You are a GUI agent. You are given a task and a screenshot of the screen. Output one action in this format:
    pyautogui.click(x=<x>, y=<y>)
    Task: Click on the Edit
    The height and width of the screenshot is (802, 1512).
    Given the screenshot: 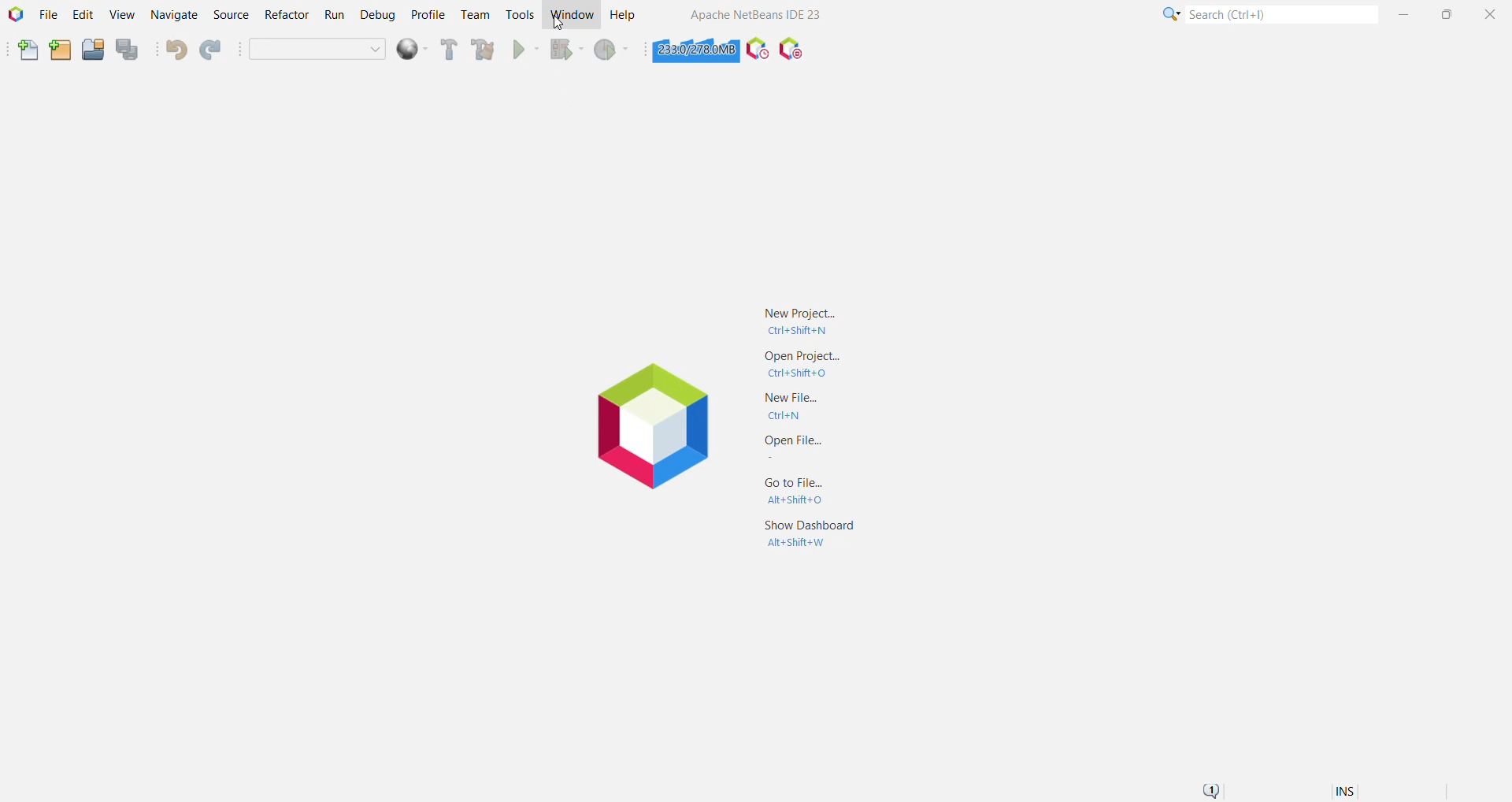 What is the action you would take?
    pyautogui.click(x=81, y=15)
    